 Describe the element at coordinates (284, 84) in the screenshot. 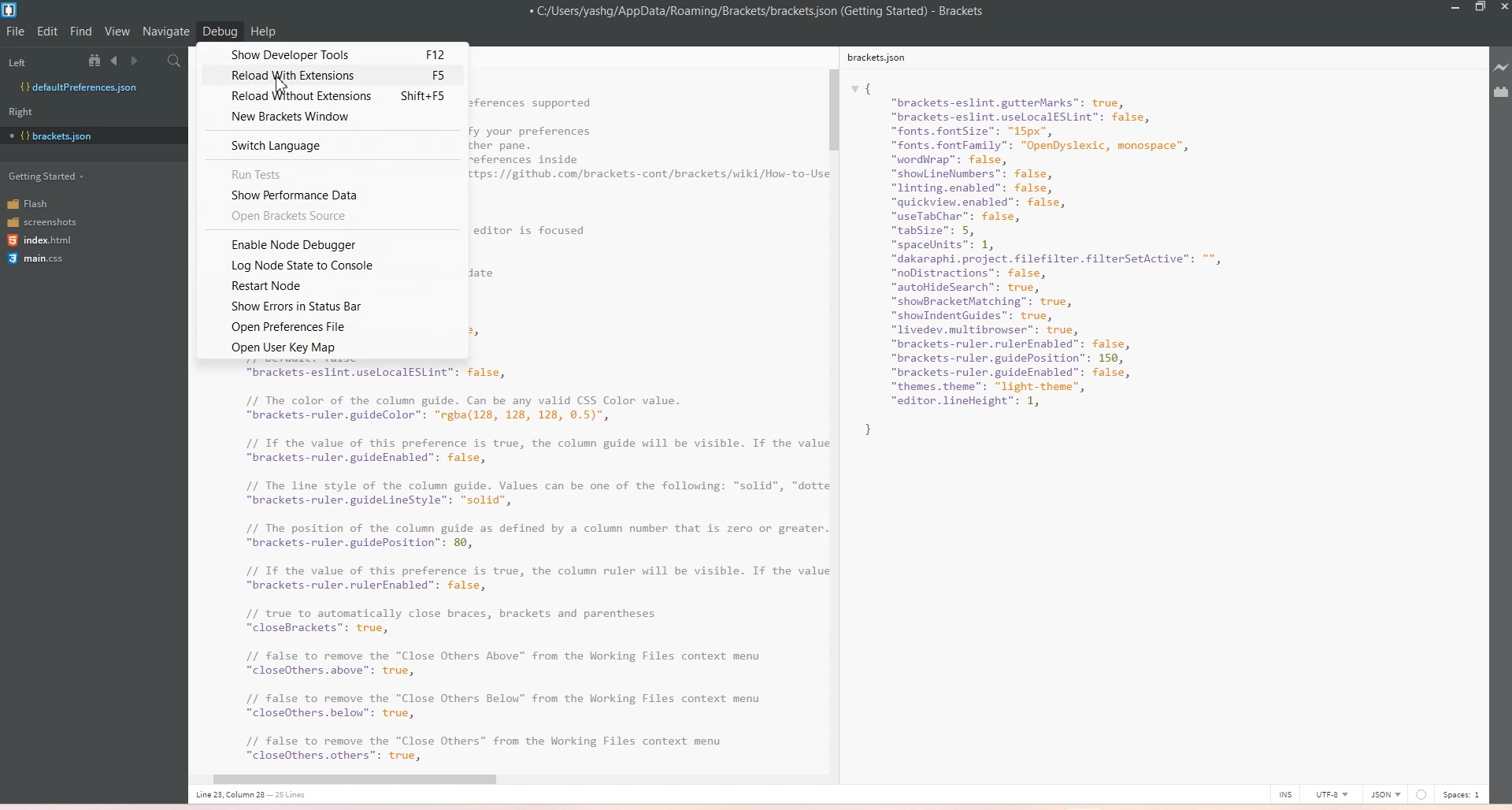

I see `Cursor` at that location.